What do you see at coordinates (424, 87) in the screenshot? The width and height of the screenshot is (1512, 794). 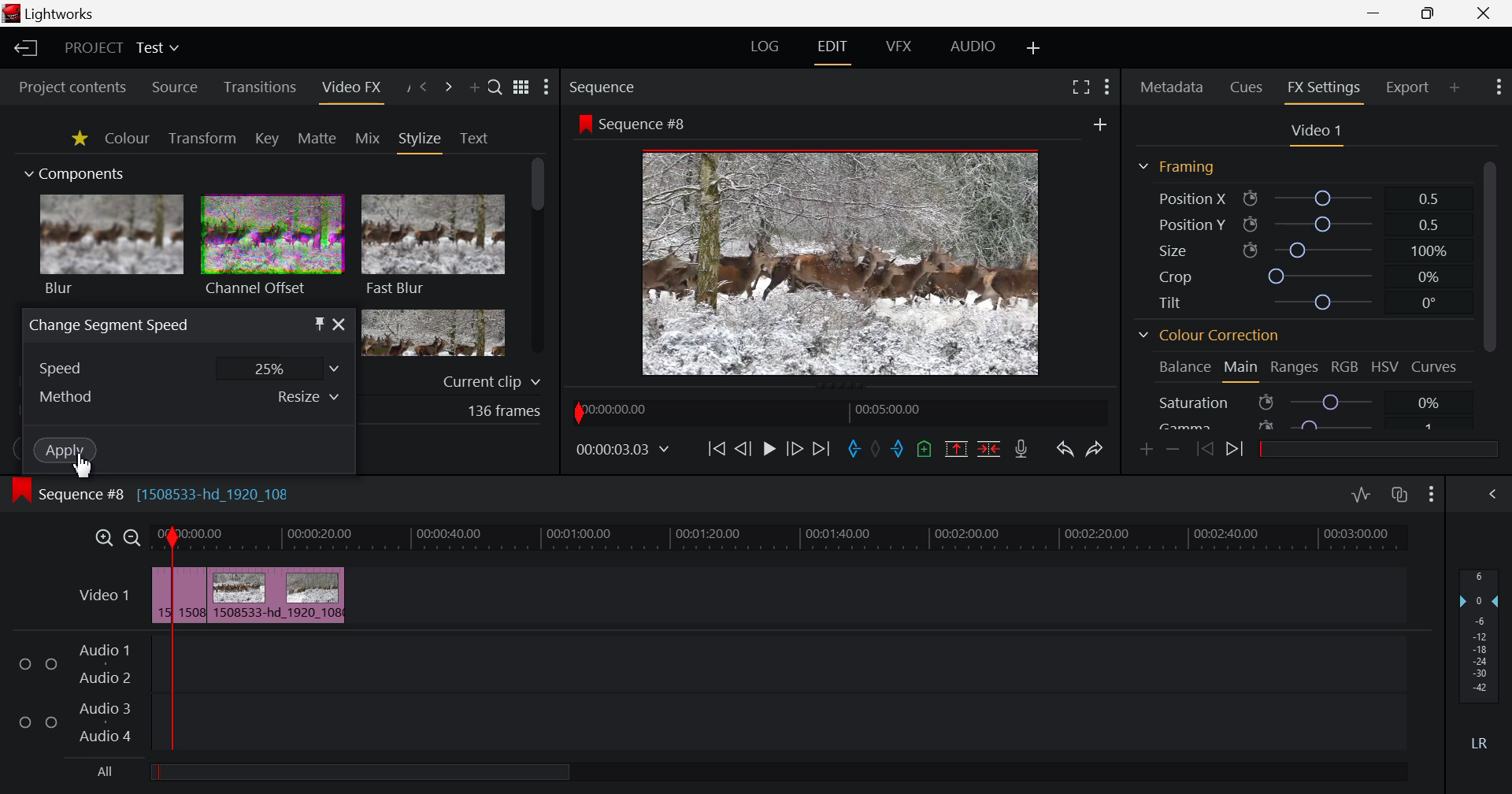 I see `Previous Panel` at bounding box center [424, 87].